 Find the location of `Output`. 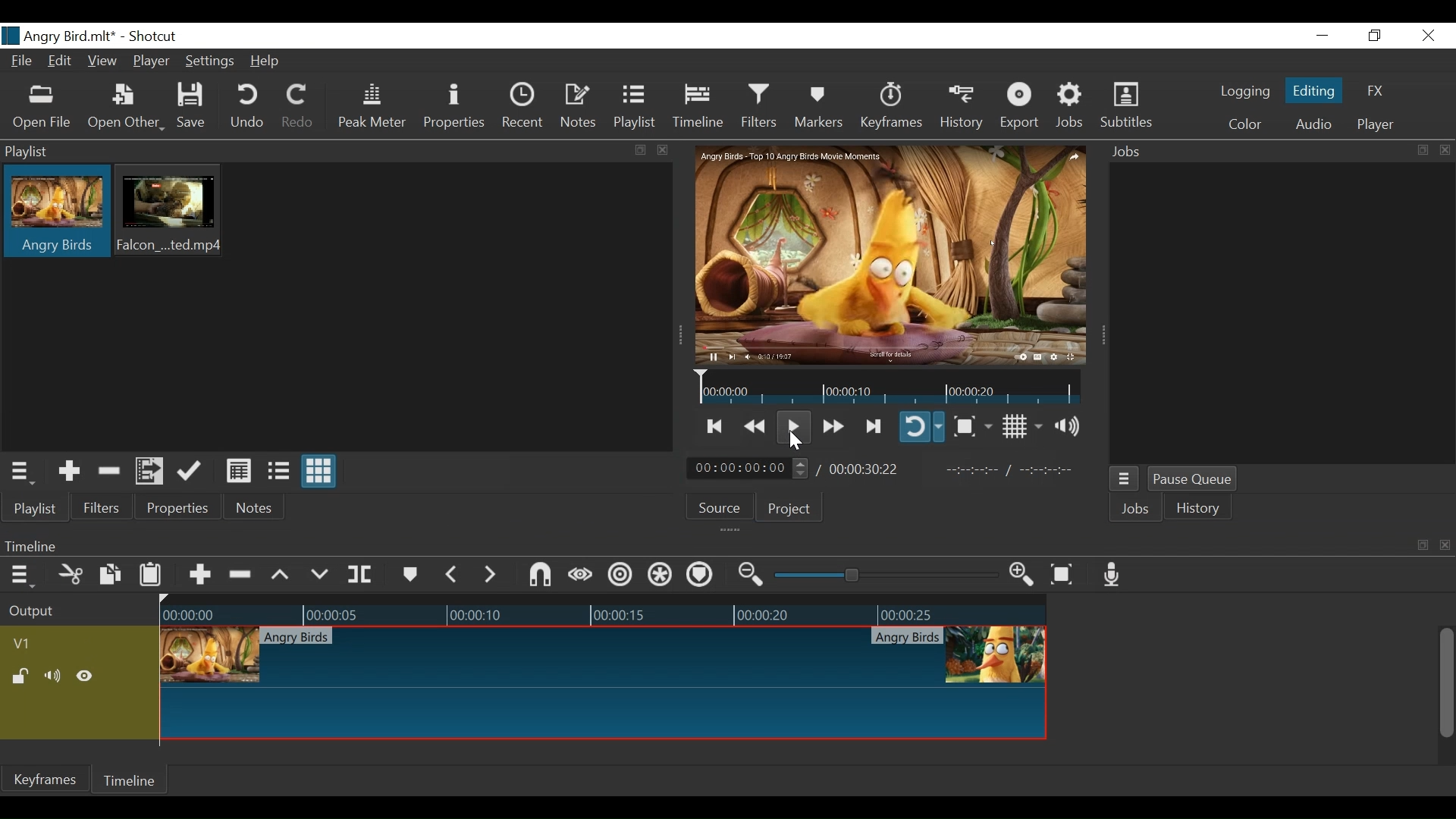

Output is located at coordinates (59, 617).